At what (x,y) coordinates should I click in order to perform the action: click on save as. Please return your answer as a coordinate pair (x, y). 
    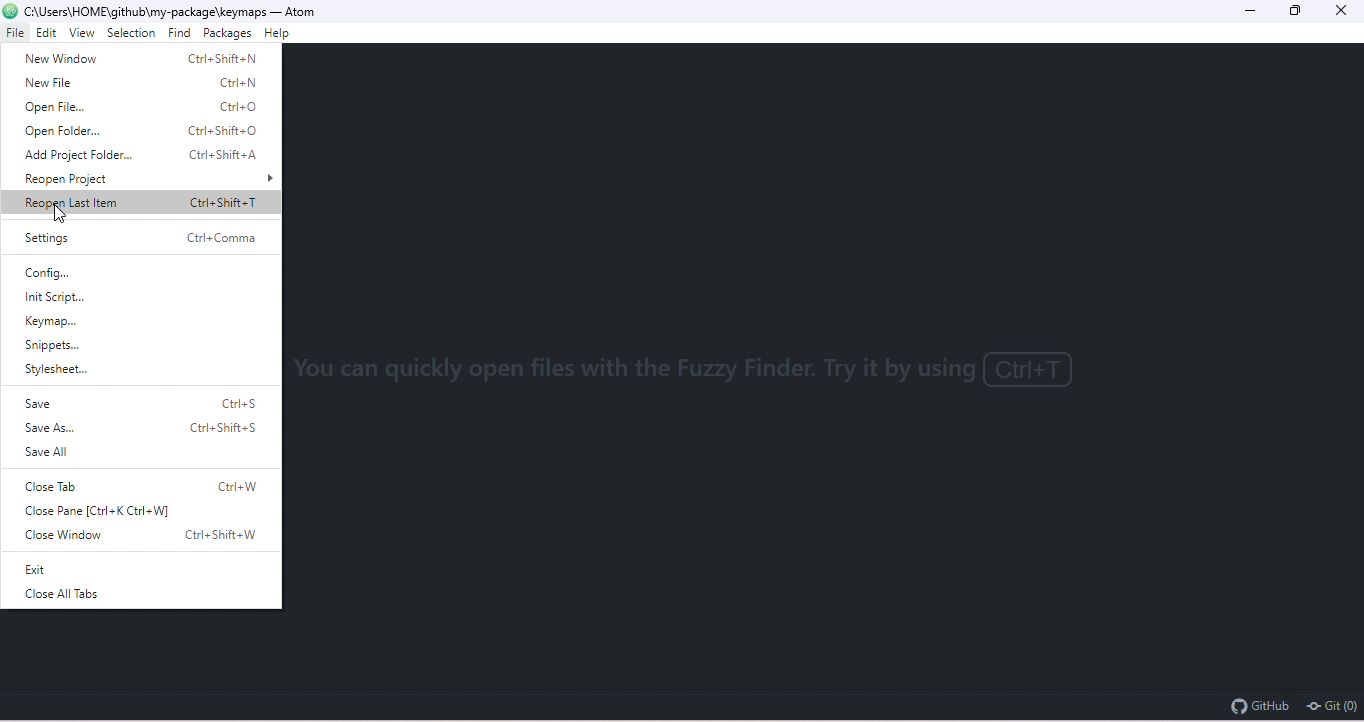
    Looking at the image, I should click on (141, 428).